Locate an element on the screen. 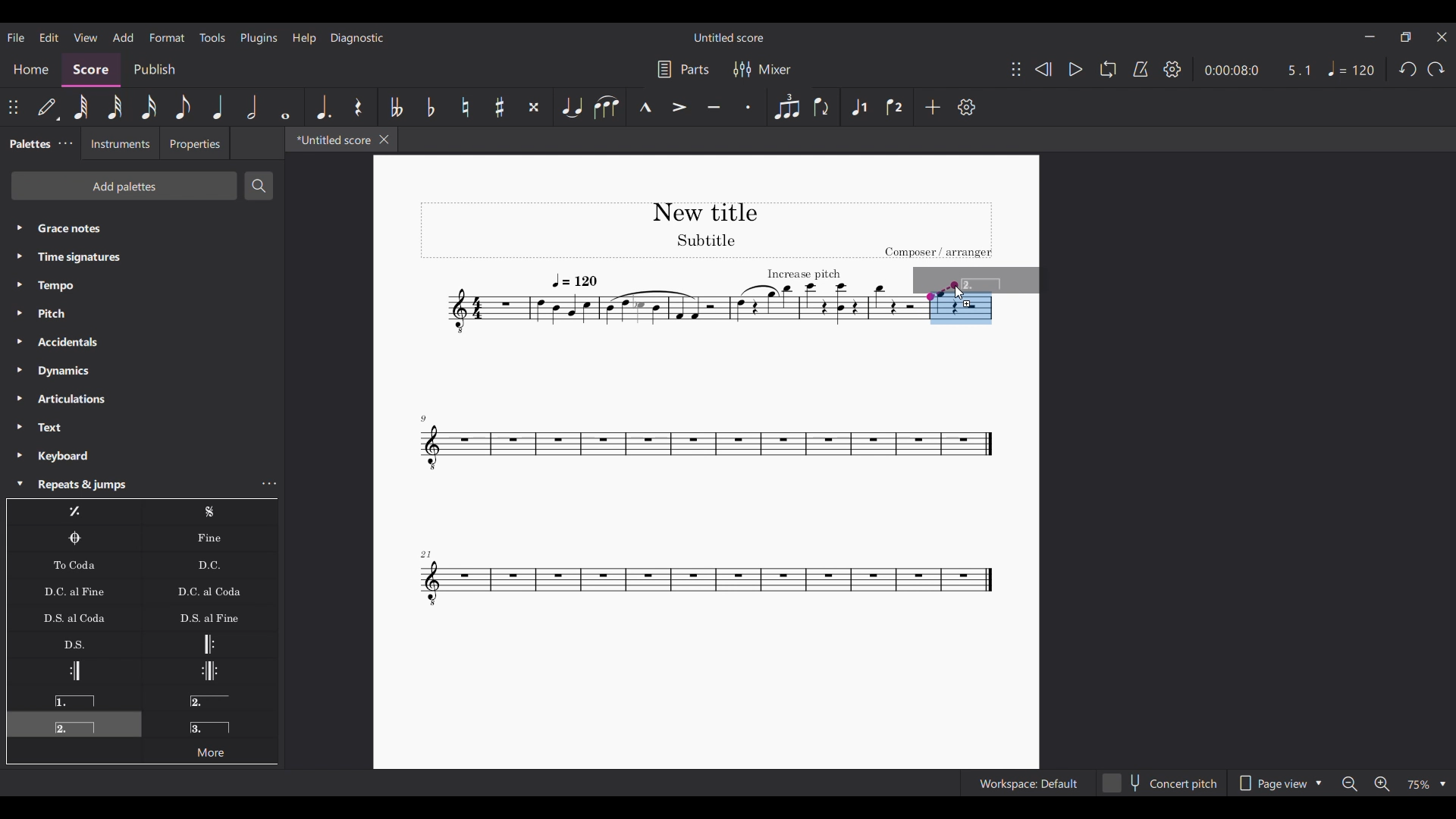  Page view options is located at coordinates (1279, 783).